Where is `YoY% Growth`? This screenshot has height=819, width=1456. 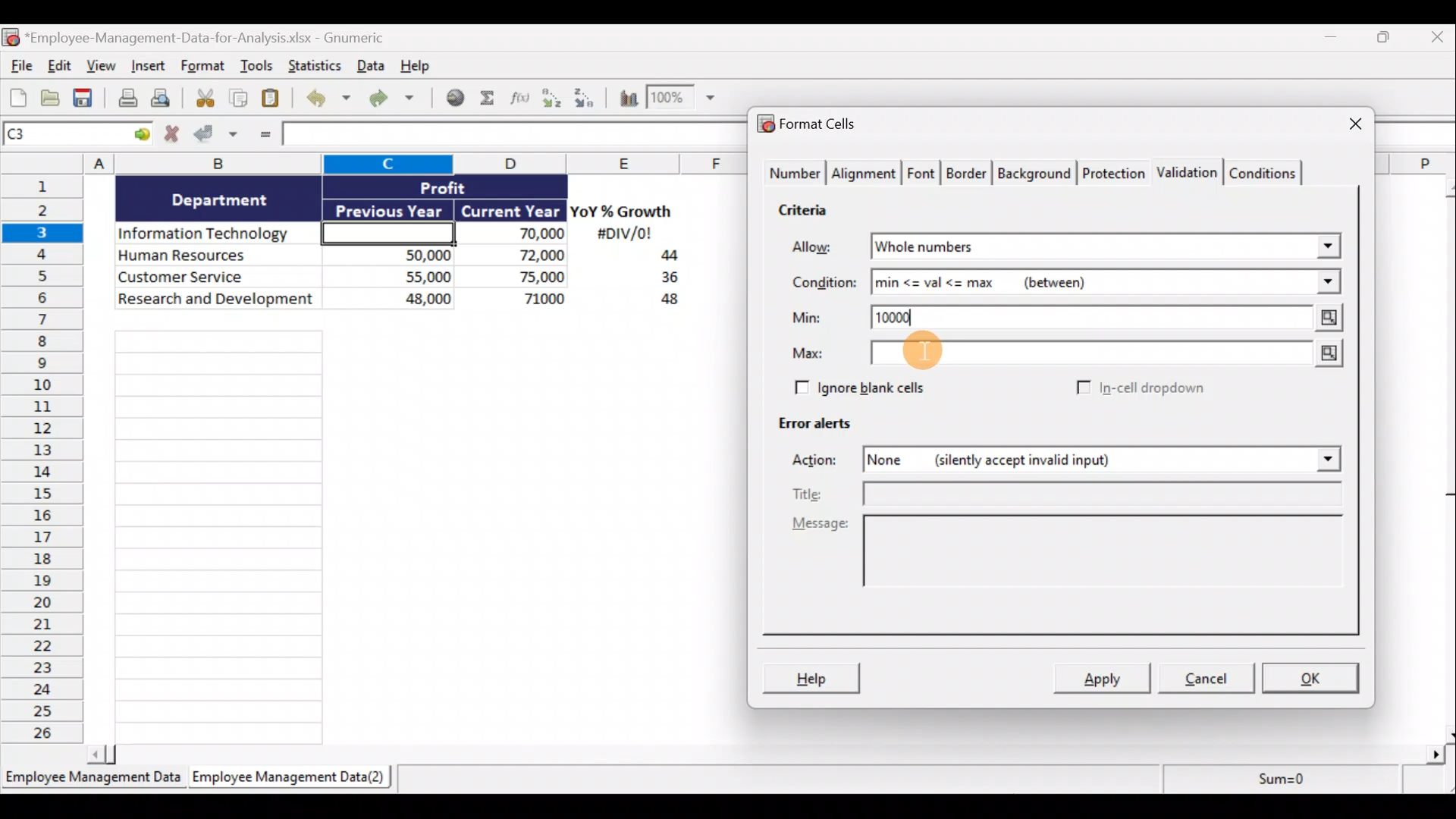 YoY% Growth is located at coordinates (622, 212).